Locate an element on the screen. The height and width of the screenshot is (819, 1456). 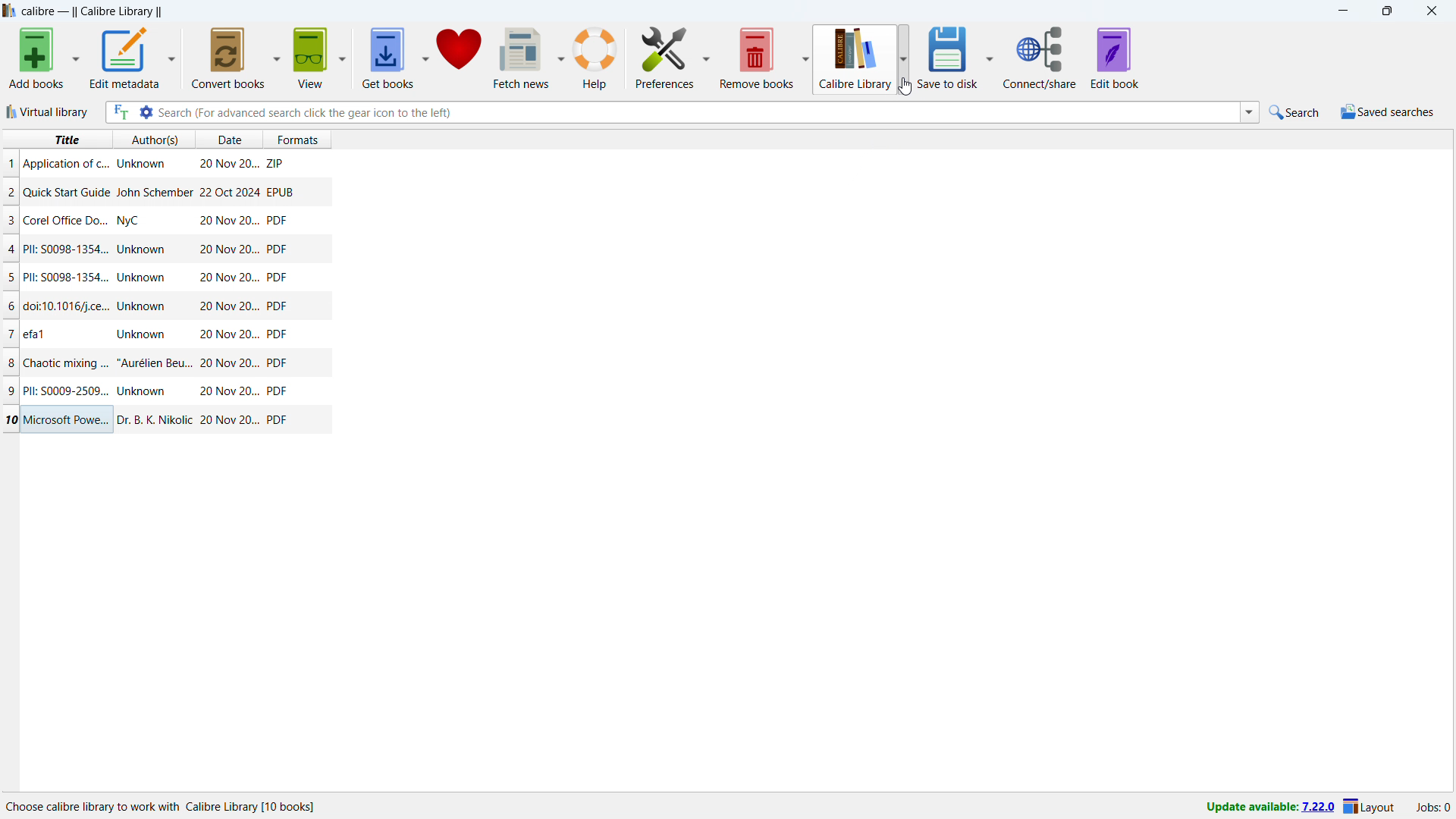
formats is located at coordinates (304, 137).